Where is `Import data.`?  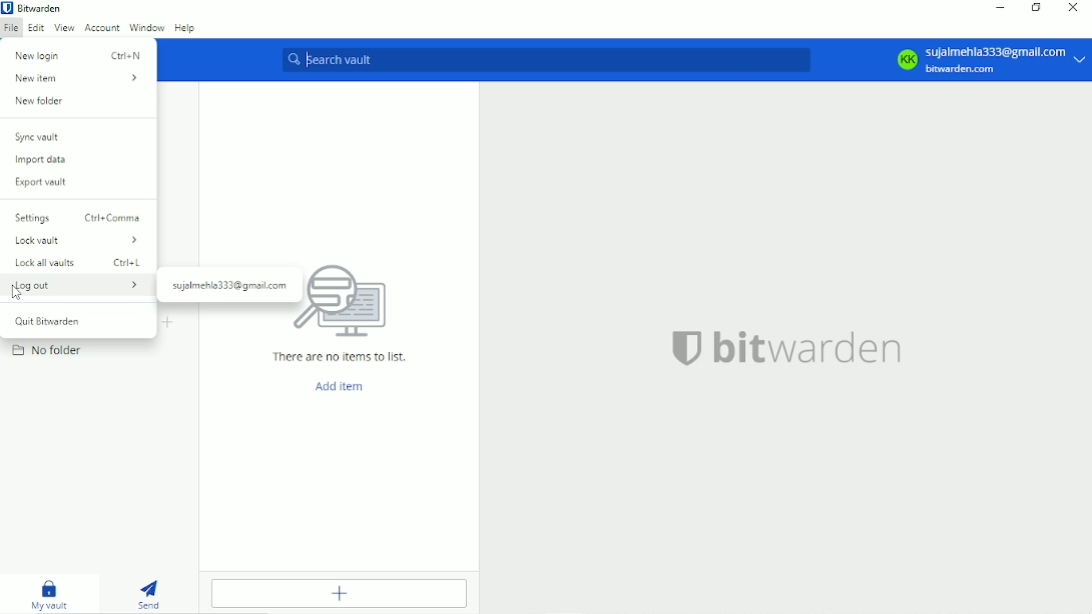 Import data. is located at coordinates (47, 161).